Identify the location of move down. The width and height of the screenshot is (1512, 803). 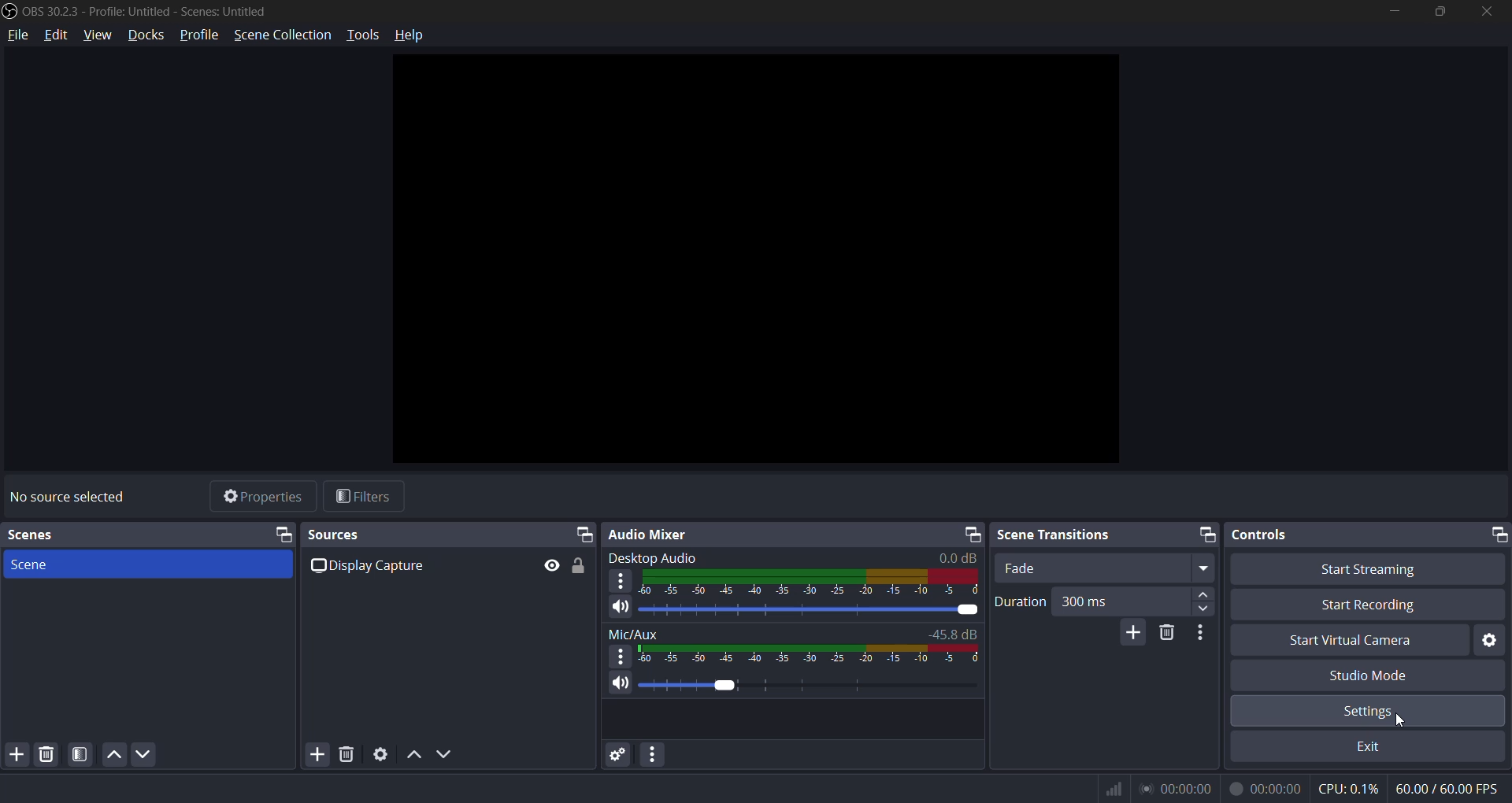
(444, 753).